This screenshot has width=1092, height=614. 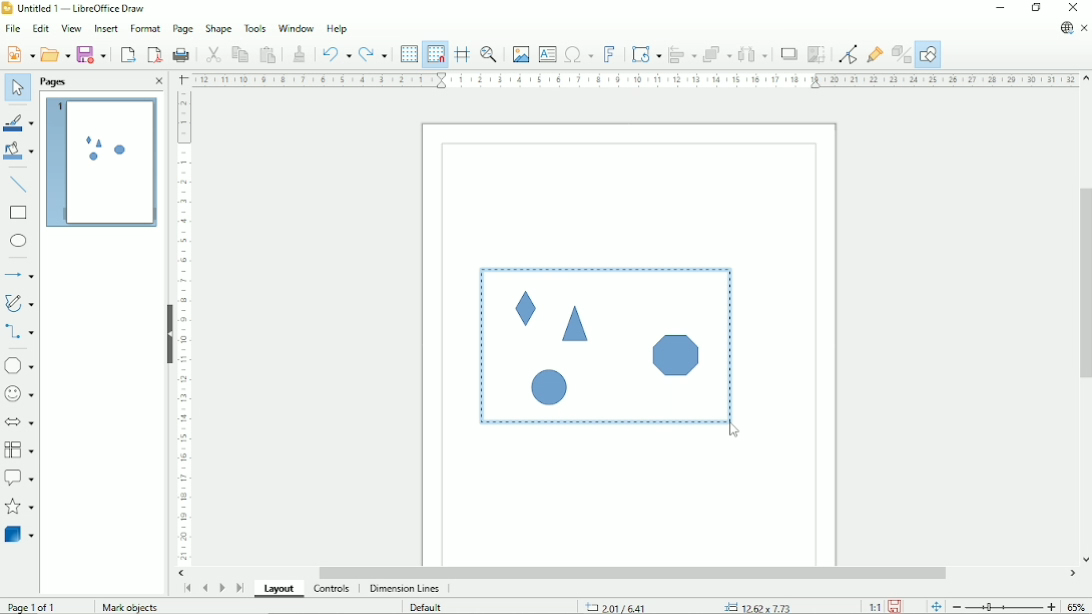 I want to click on Horizontal scroll button, so click(x=1073, y=573).